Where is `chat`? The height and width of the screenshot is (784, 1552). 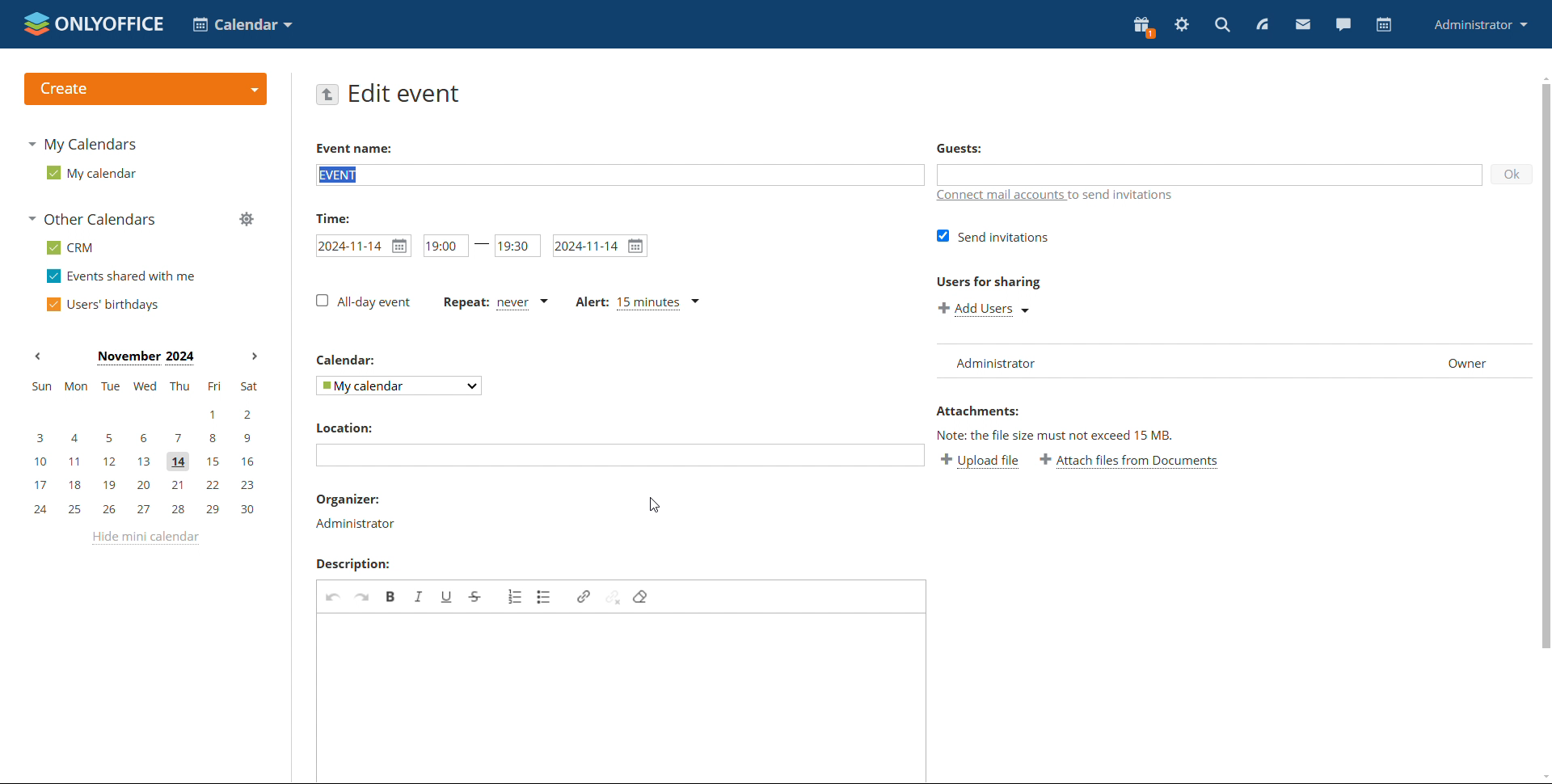 chat is located at coordinates (1343, 23).